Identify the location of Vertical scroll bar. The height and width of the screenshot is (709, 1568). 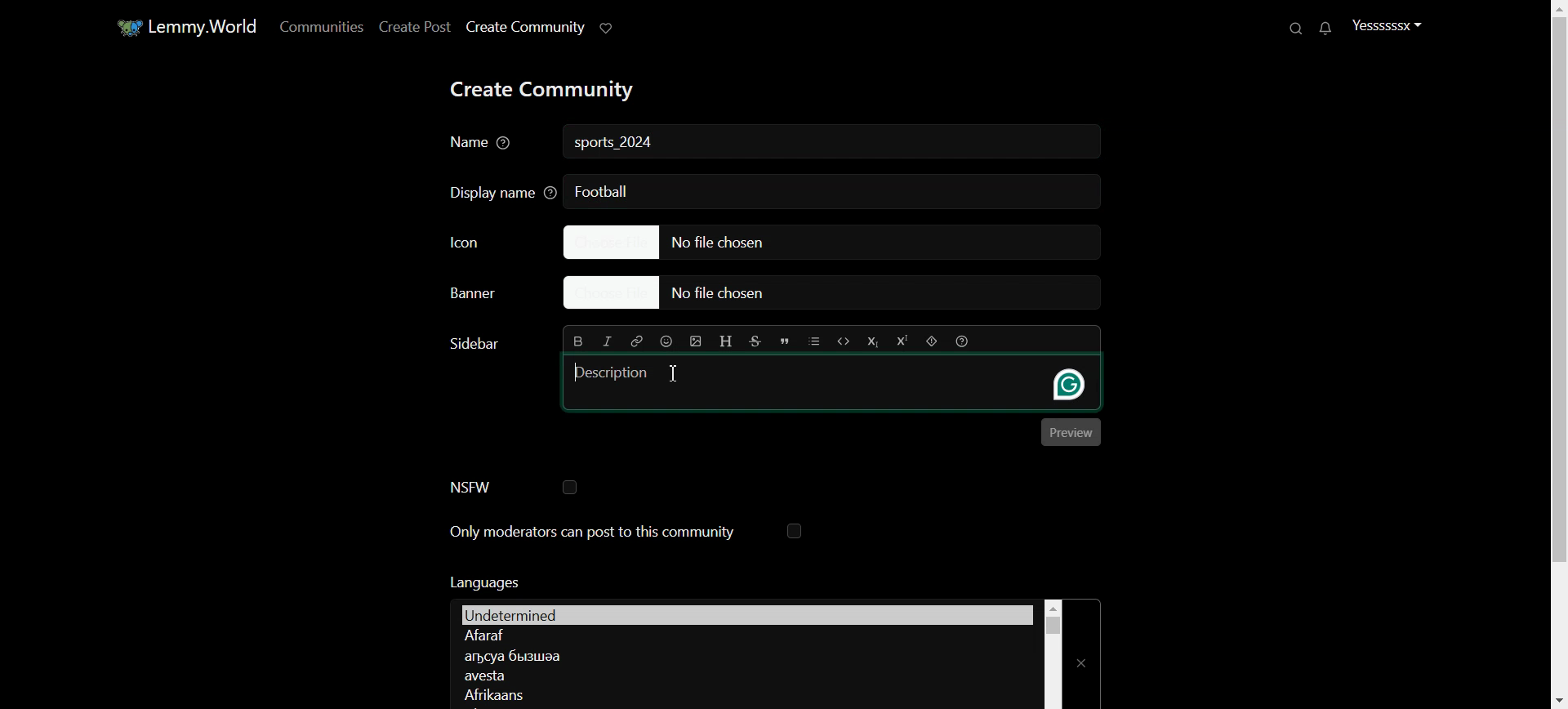
(1053, 653).